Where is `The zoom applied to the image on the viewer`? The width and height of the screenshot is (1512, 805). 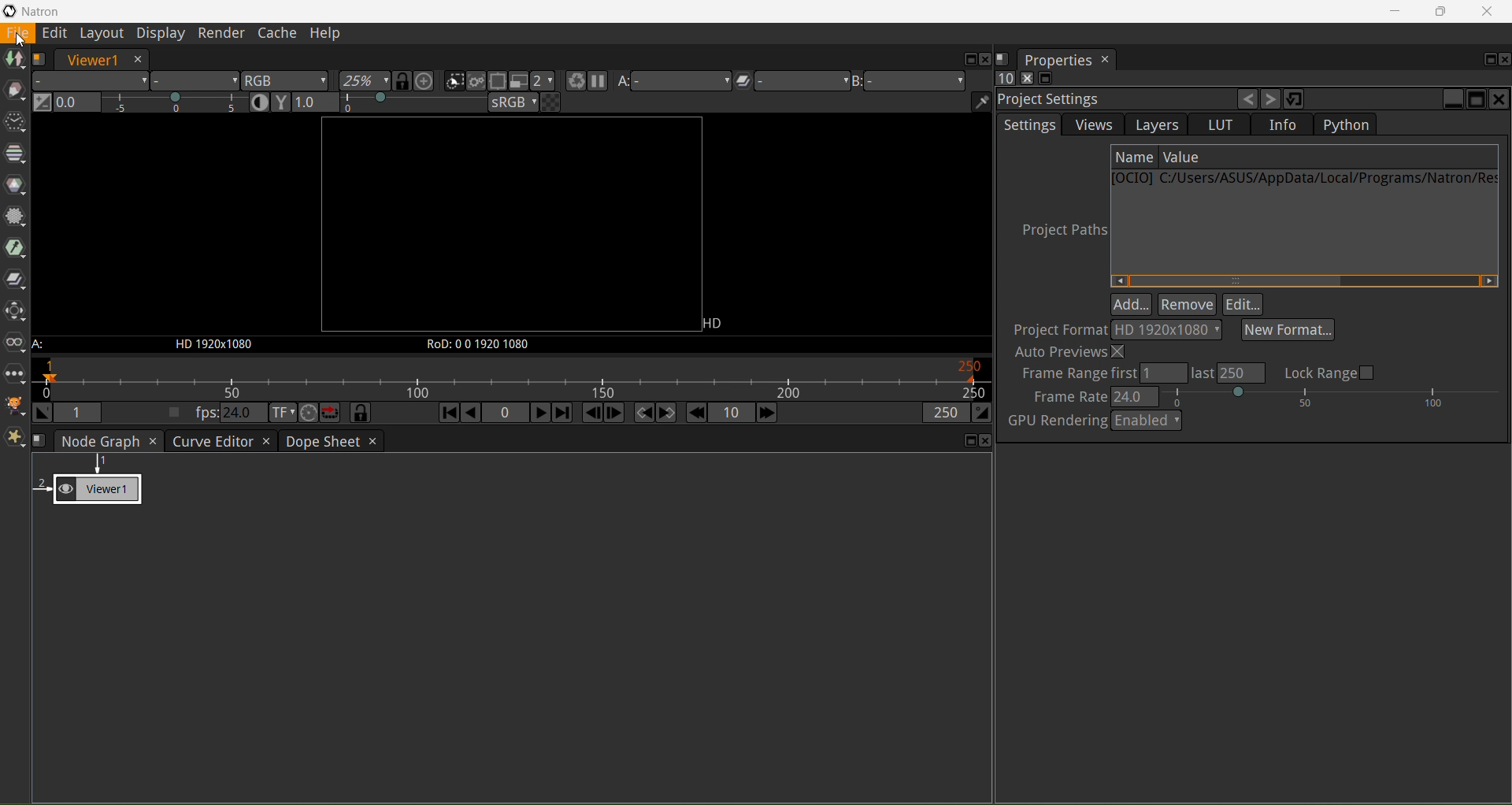
The zoom applied to the image on the viewer is located at coordinates (365, 82).